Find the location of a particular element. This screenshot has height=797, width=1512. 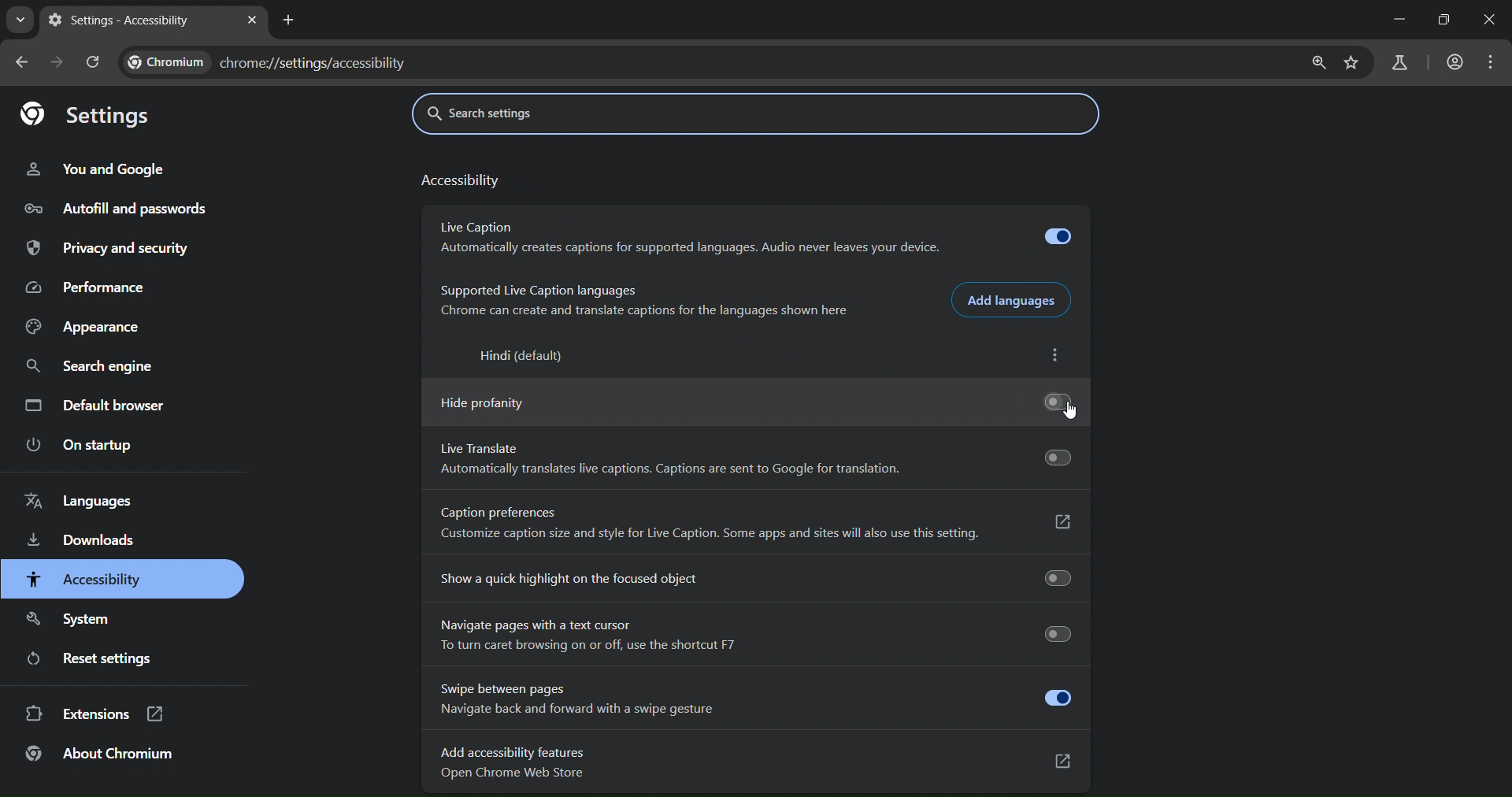

close tab is located at coordinates (251, 20).